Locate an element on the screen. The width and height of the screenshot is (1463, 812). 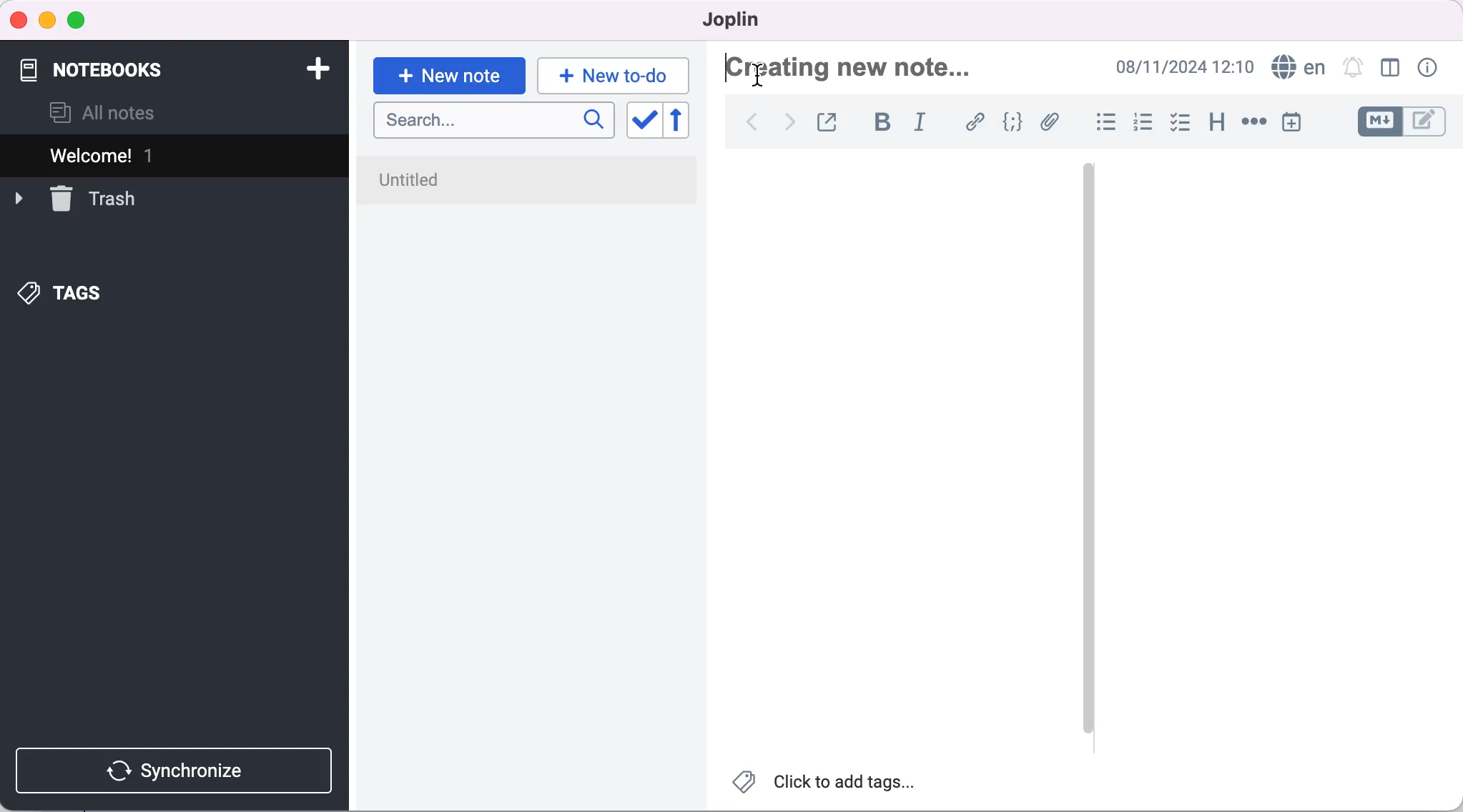
all notes is located at coordinates (119, 111).